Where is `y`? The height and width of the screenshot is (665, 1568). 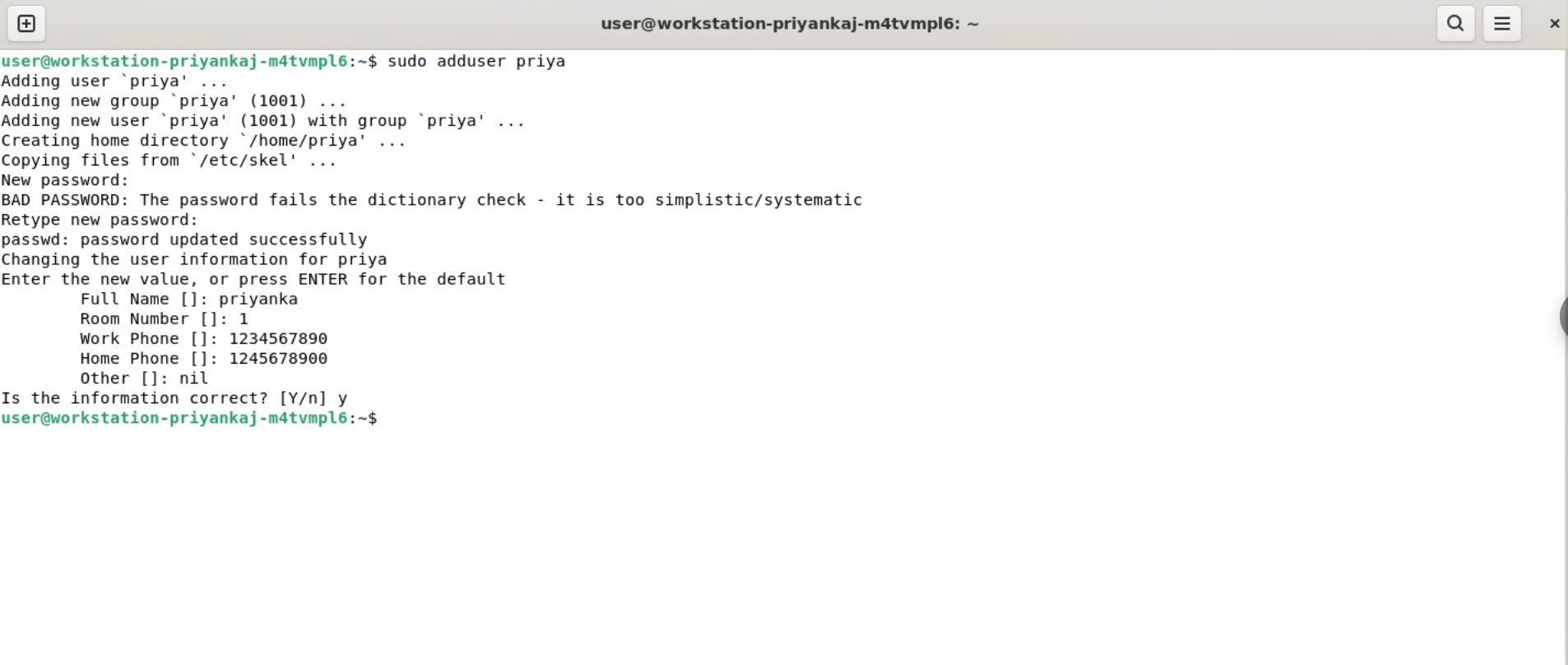 y is located at coordinates (347, 396).